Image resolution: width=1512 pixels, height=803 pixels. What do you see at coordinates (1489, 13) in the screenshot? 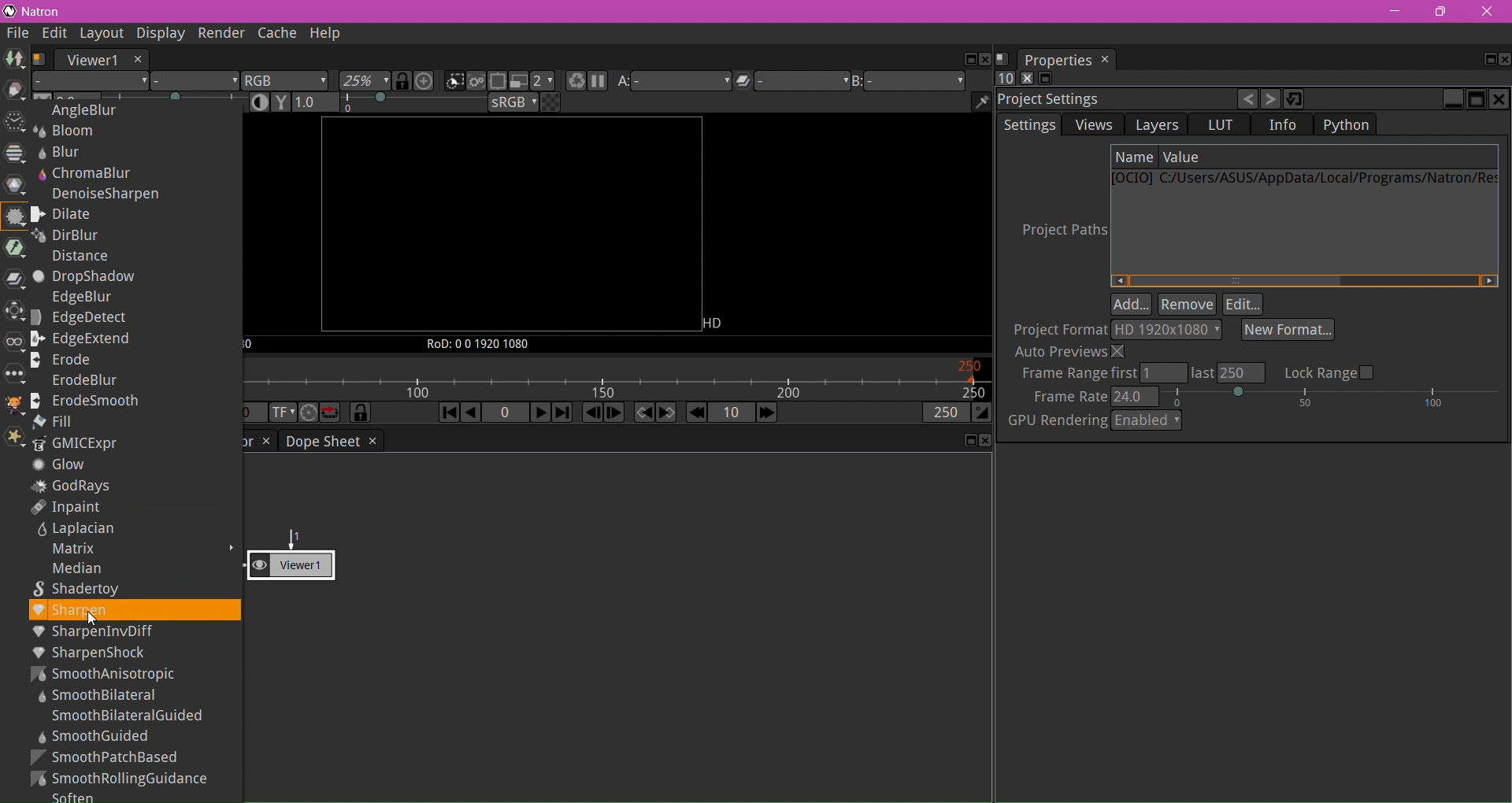
I see `Close` at bounding box center [1489, 13].